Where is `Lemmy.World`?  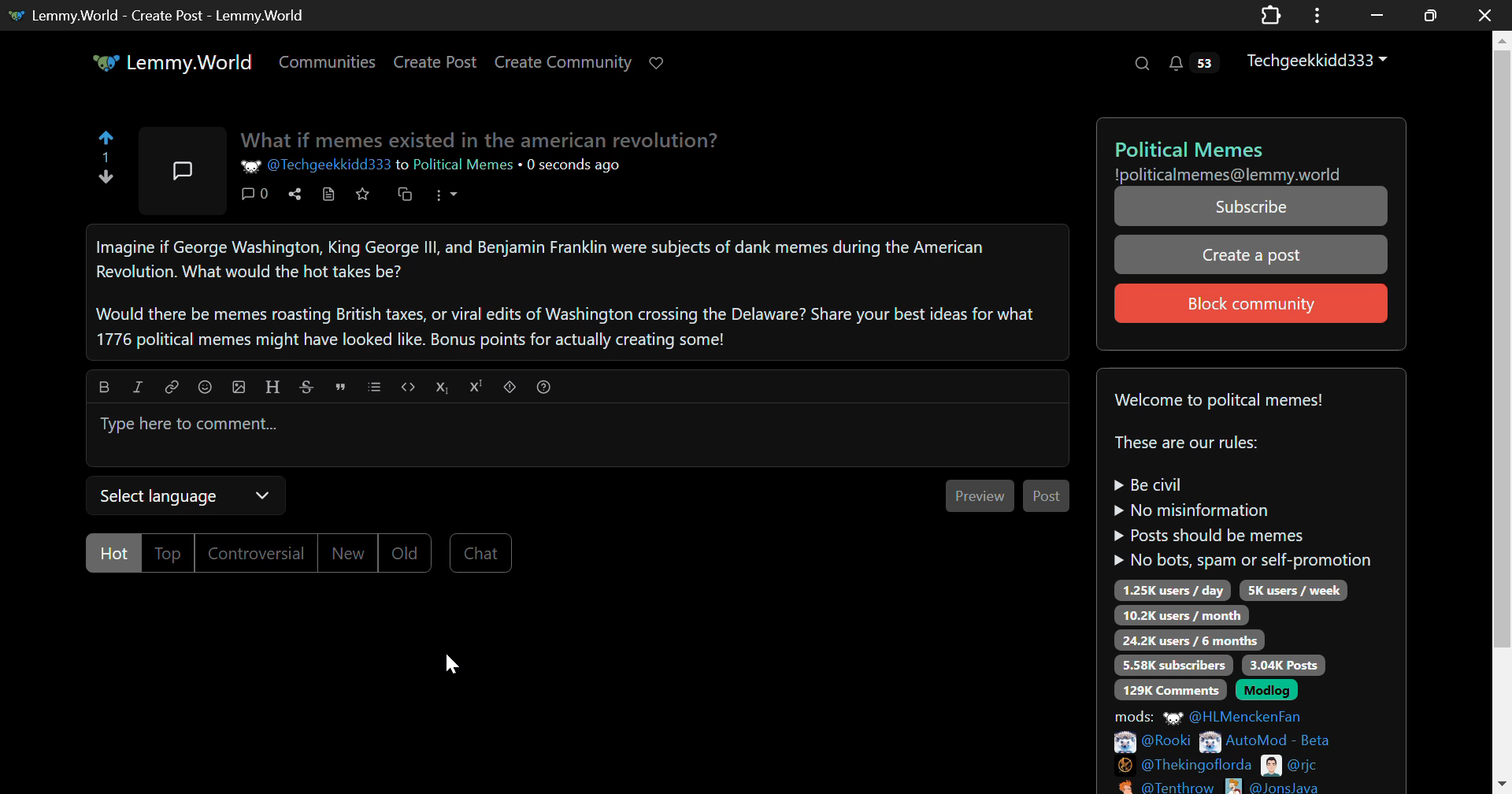 Lemmy.World is located at coordinates (171, 61).